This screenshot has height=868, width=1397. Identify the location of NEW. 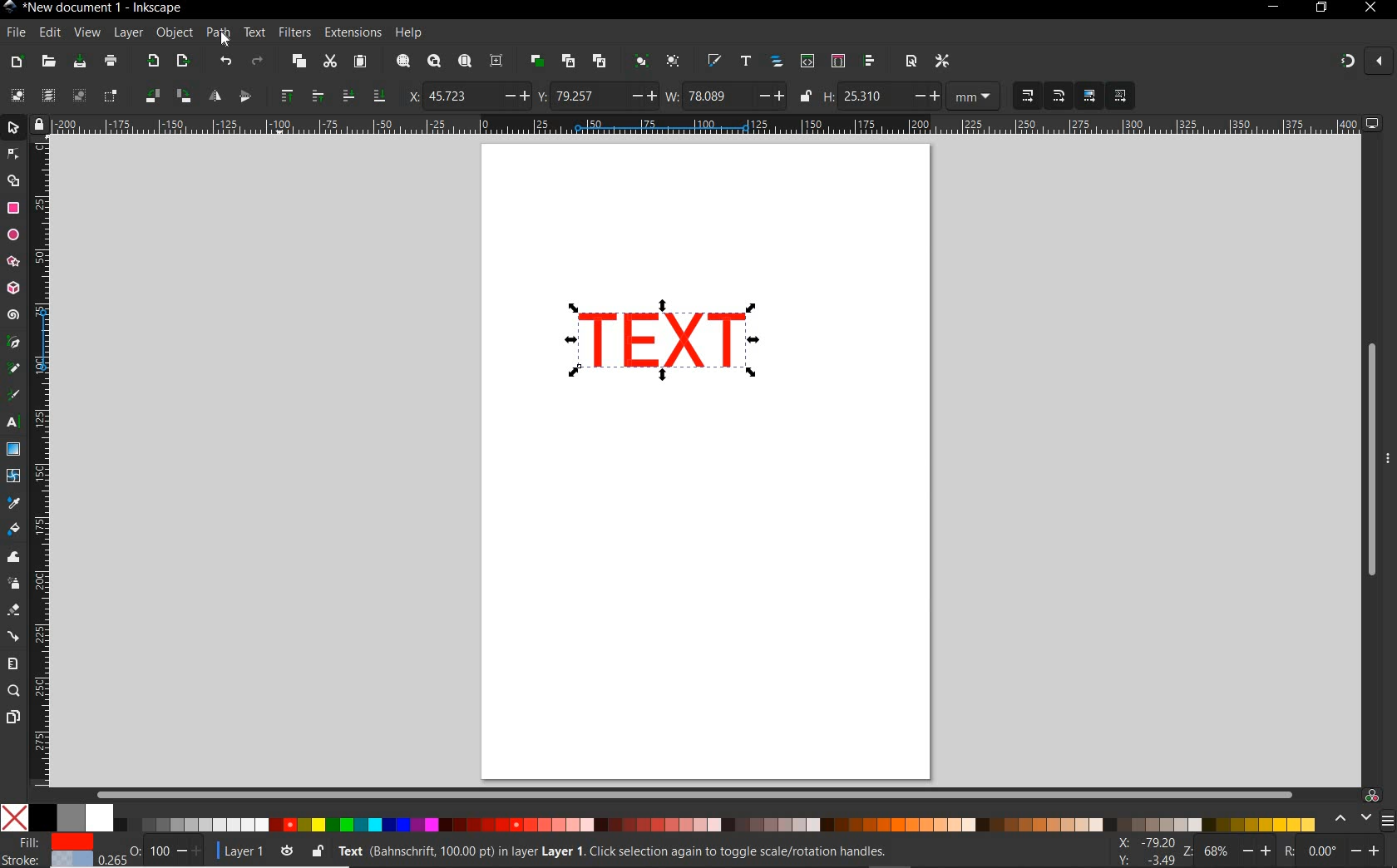
(16, 62).